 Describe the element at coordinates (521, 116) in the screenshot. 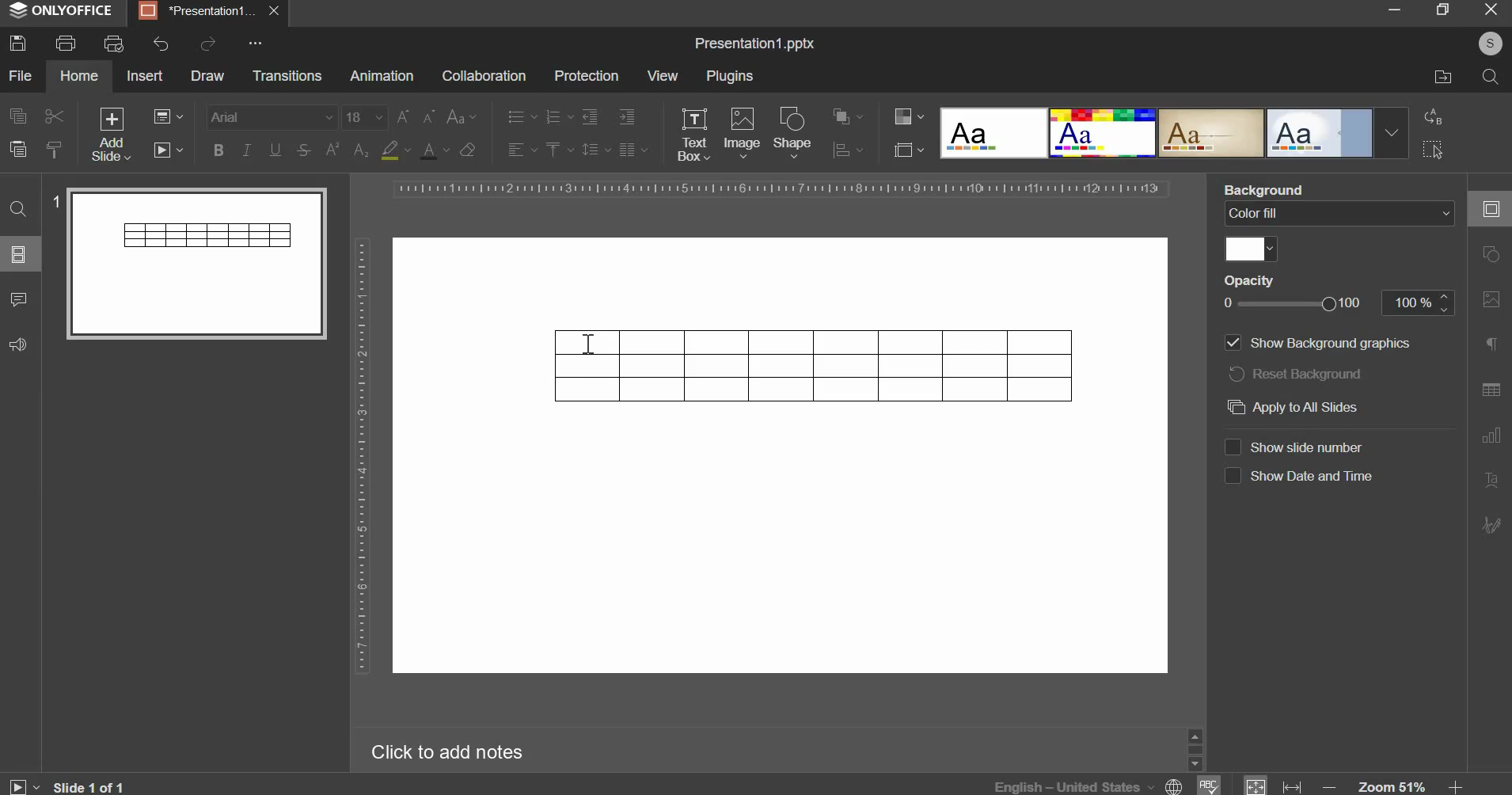

I see `bullets` at that location.